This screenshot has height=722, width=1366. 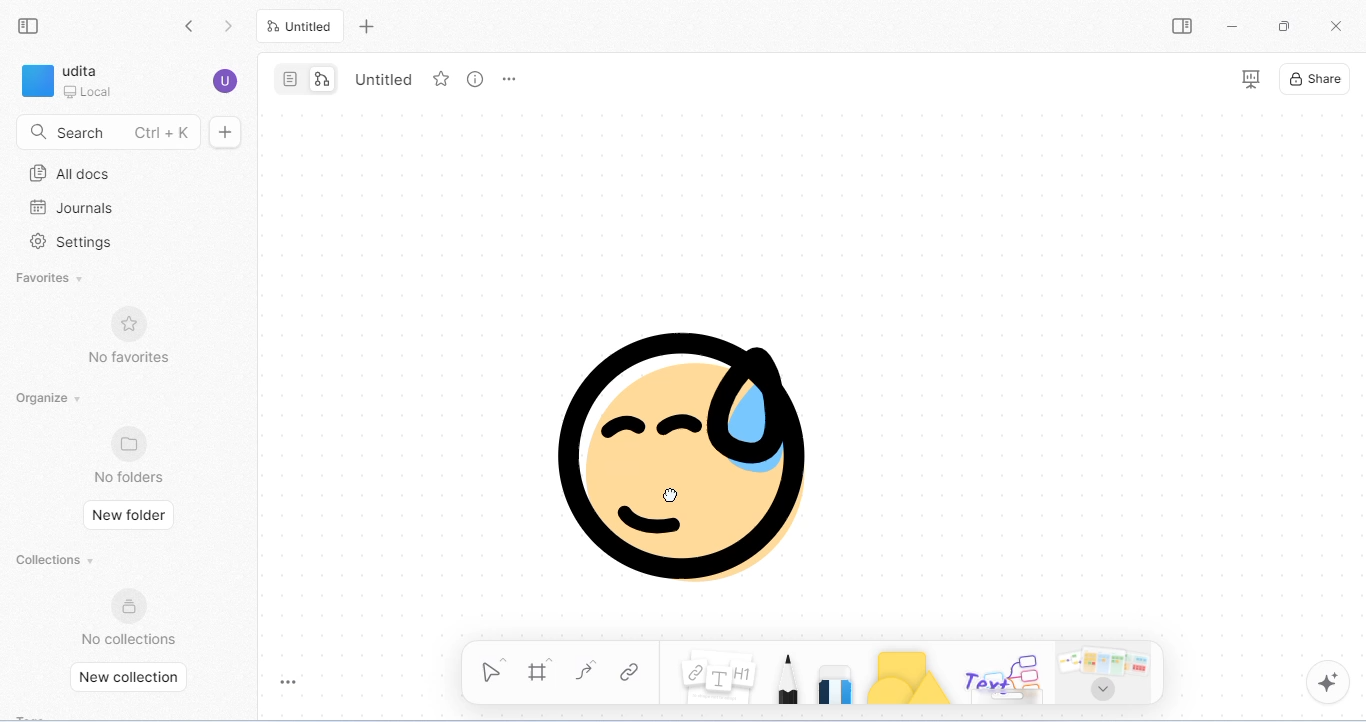 I want to click on current tab, so click(x=300, y=26).